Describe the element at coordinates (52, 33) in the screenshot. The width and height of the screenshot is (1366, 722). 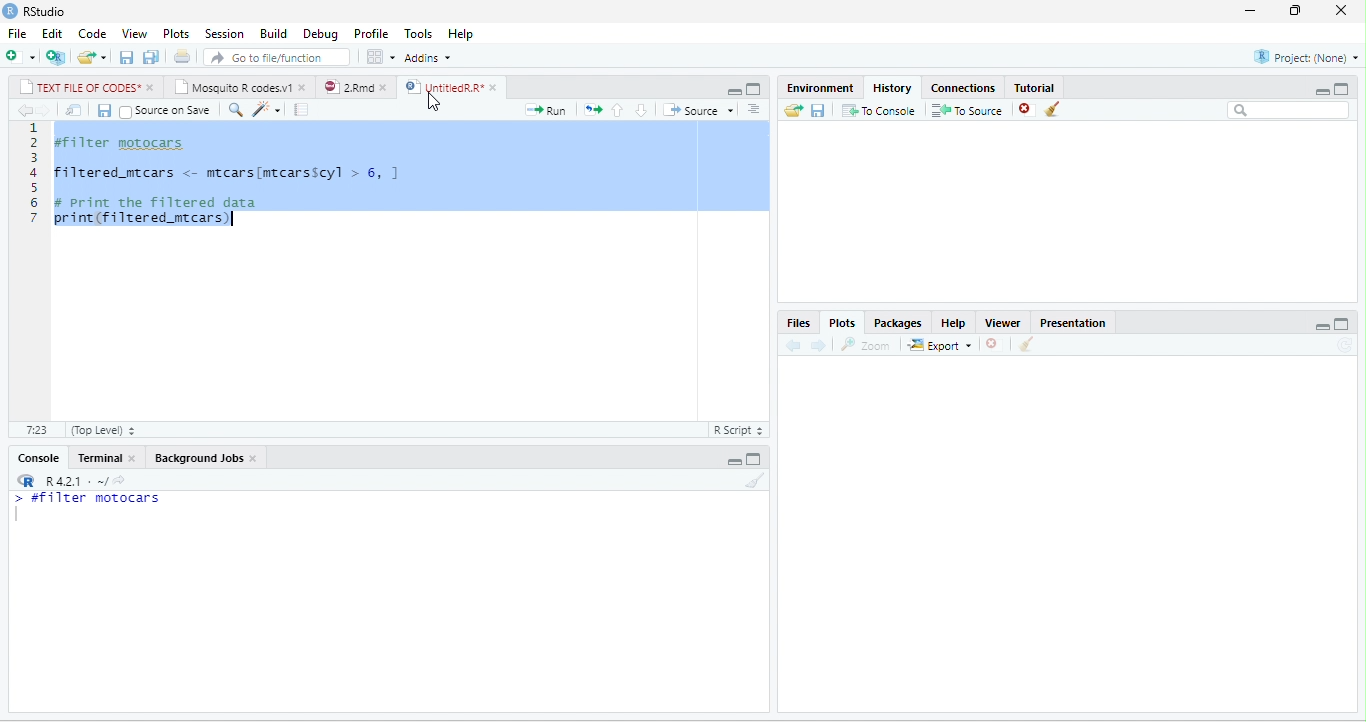
I see `Edit` at that location.